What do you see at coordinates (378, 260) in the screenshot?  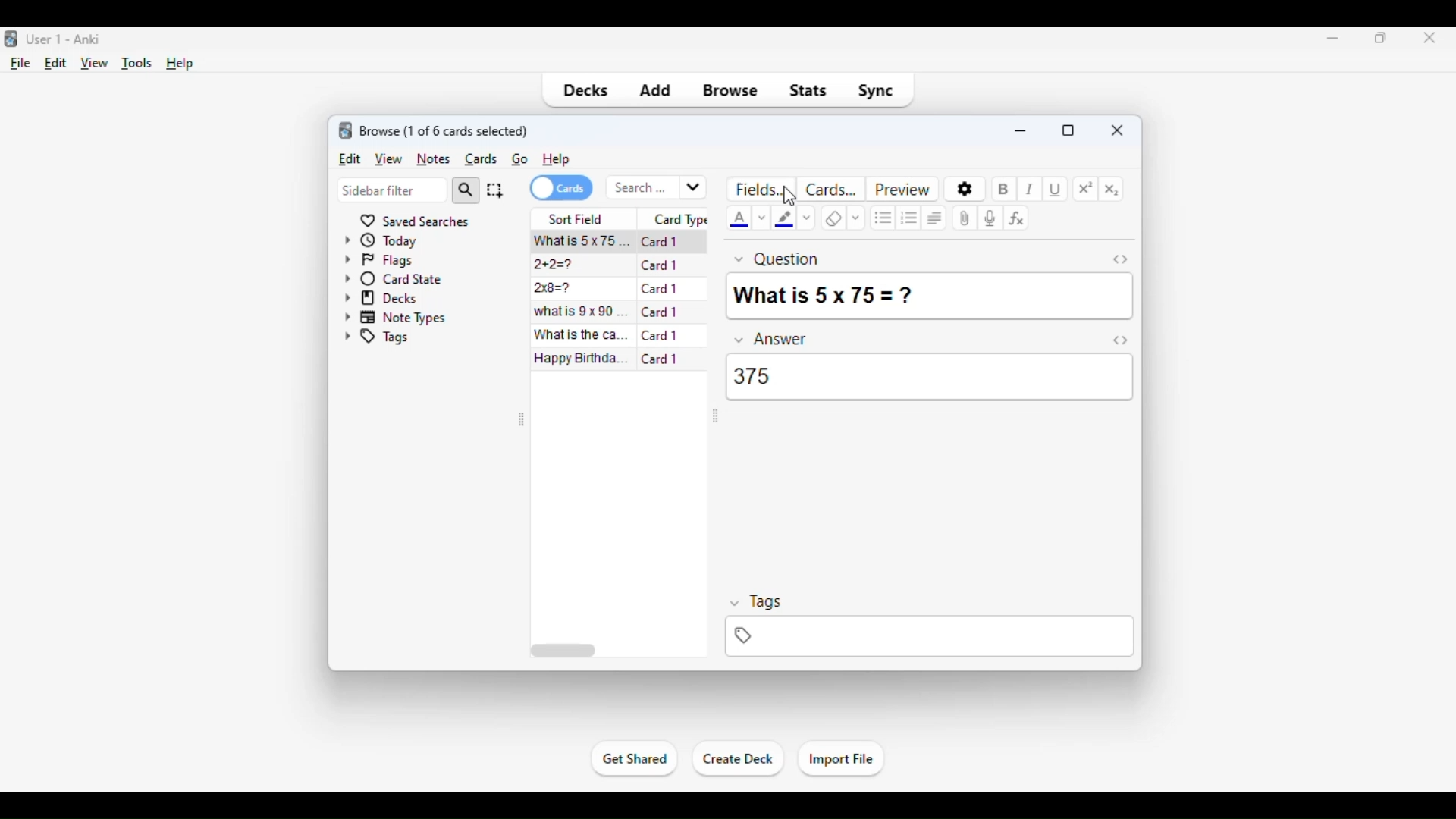 I see `flags` at bounding box center [378, 260].